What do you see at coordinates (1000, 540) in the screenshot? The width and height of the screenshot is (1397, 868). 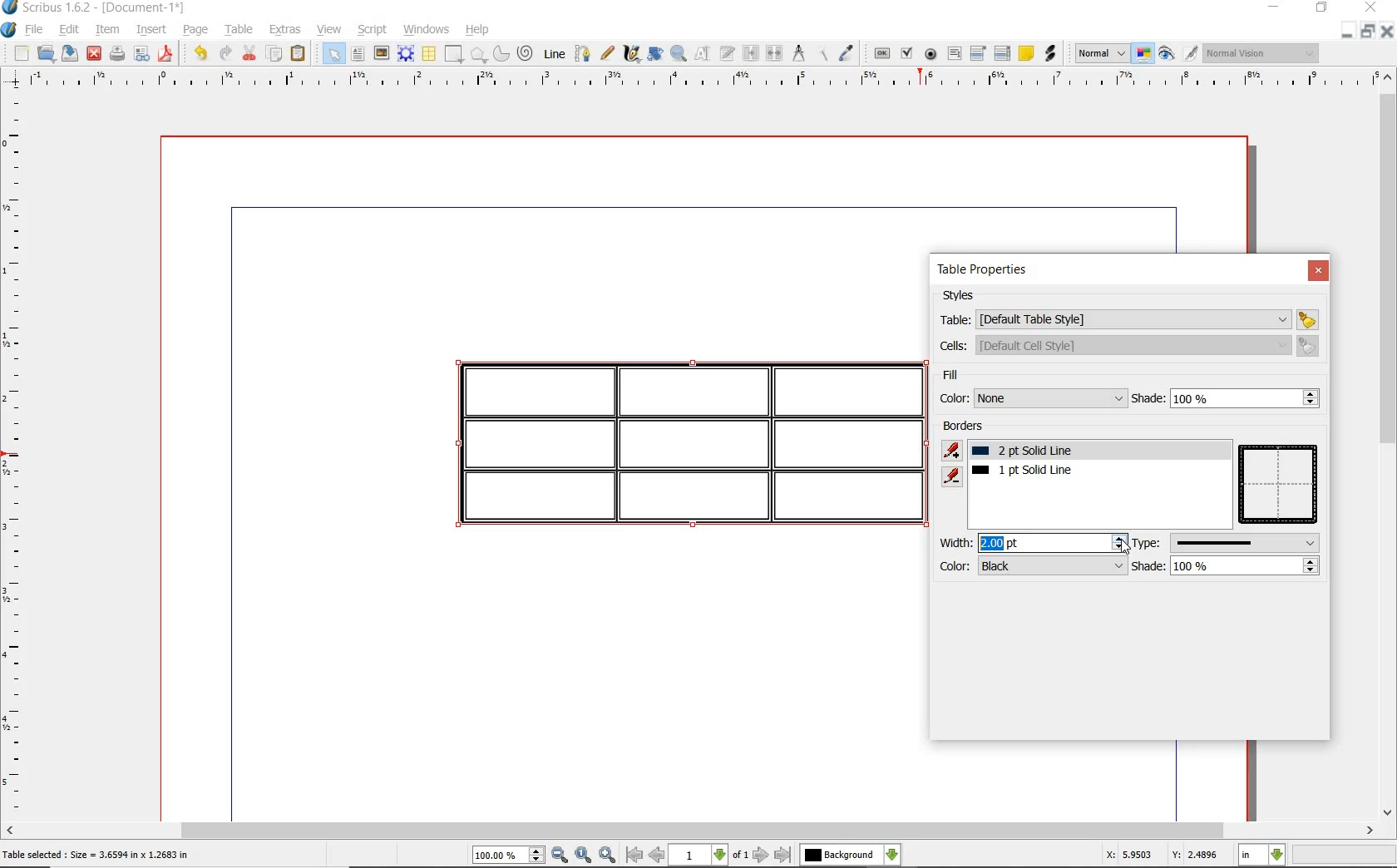 I see `width value added` at bounding box center [1000, 540].